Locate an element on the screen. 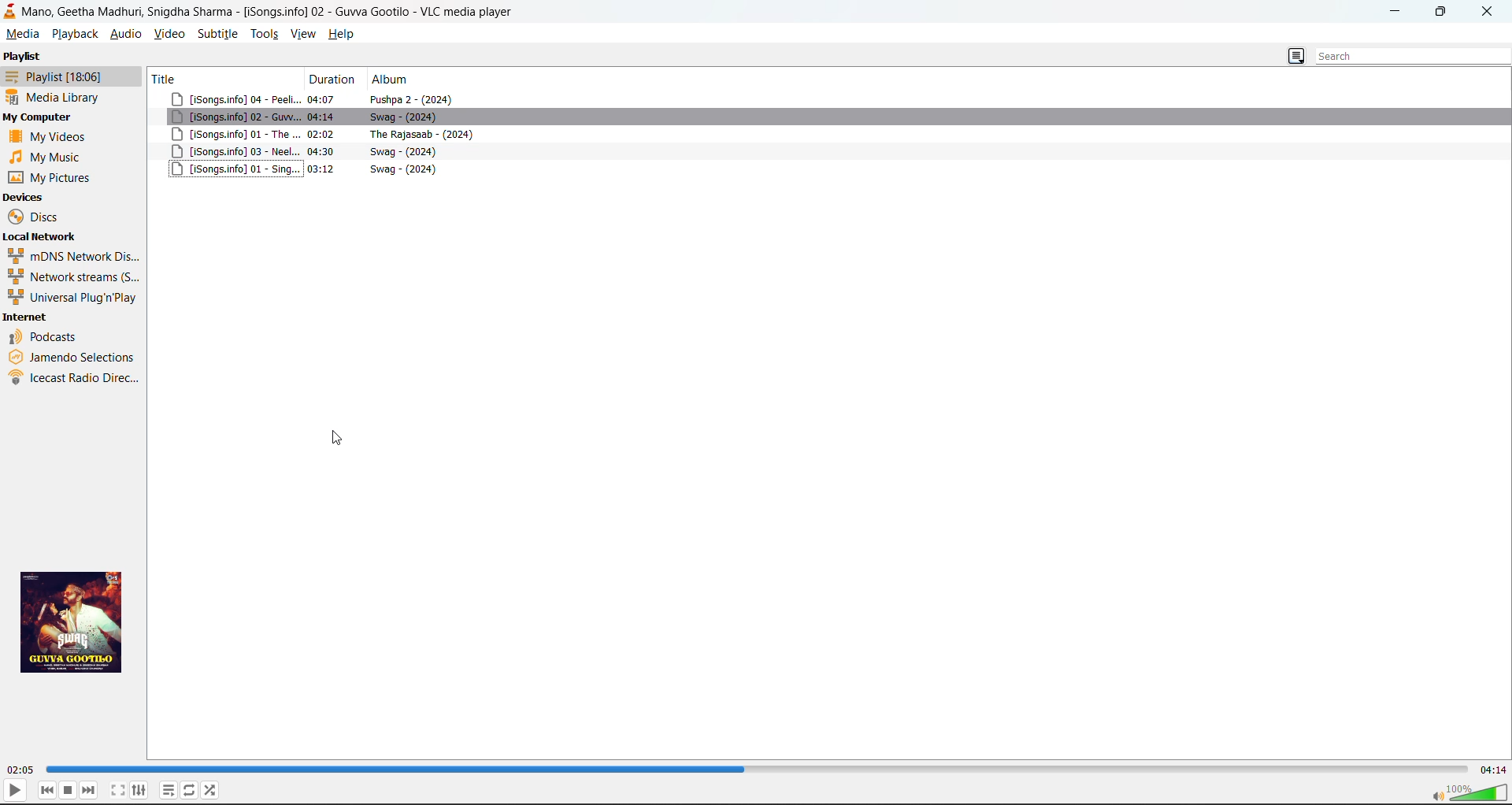 The height and width of the screenshot is (805, 1512). devices is located at coordinates (25, 198).